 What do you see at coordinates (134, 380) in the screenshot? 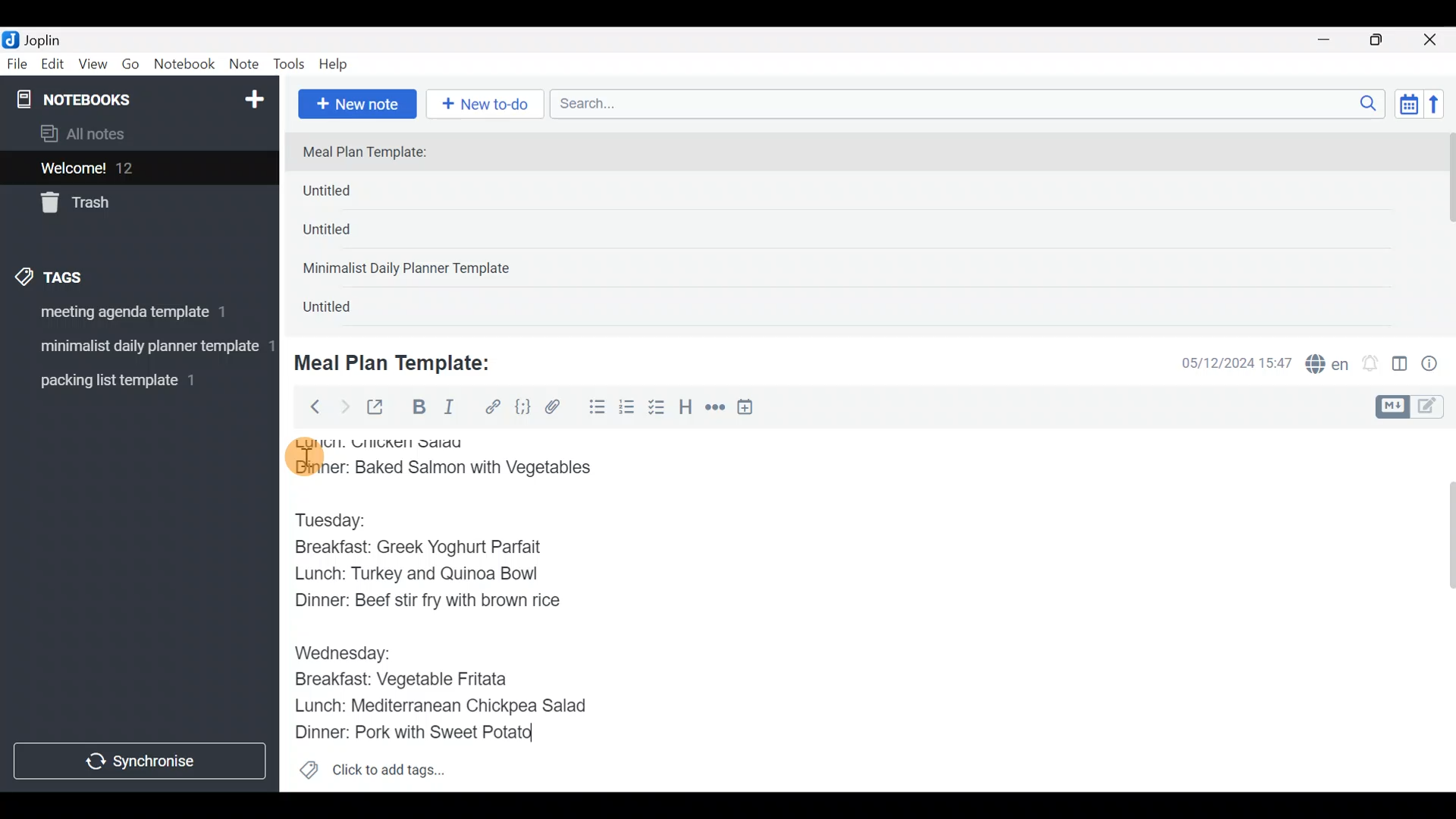
I see `Tag 3` at bounding box center [134, 380].